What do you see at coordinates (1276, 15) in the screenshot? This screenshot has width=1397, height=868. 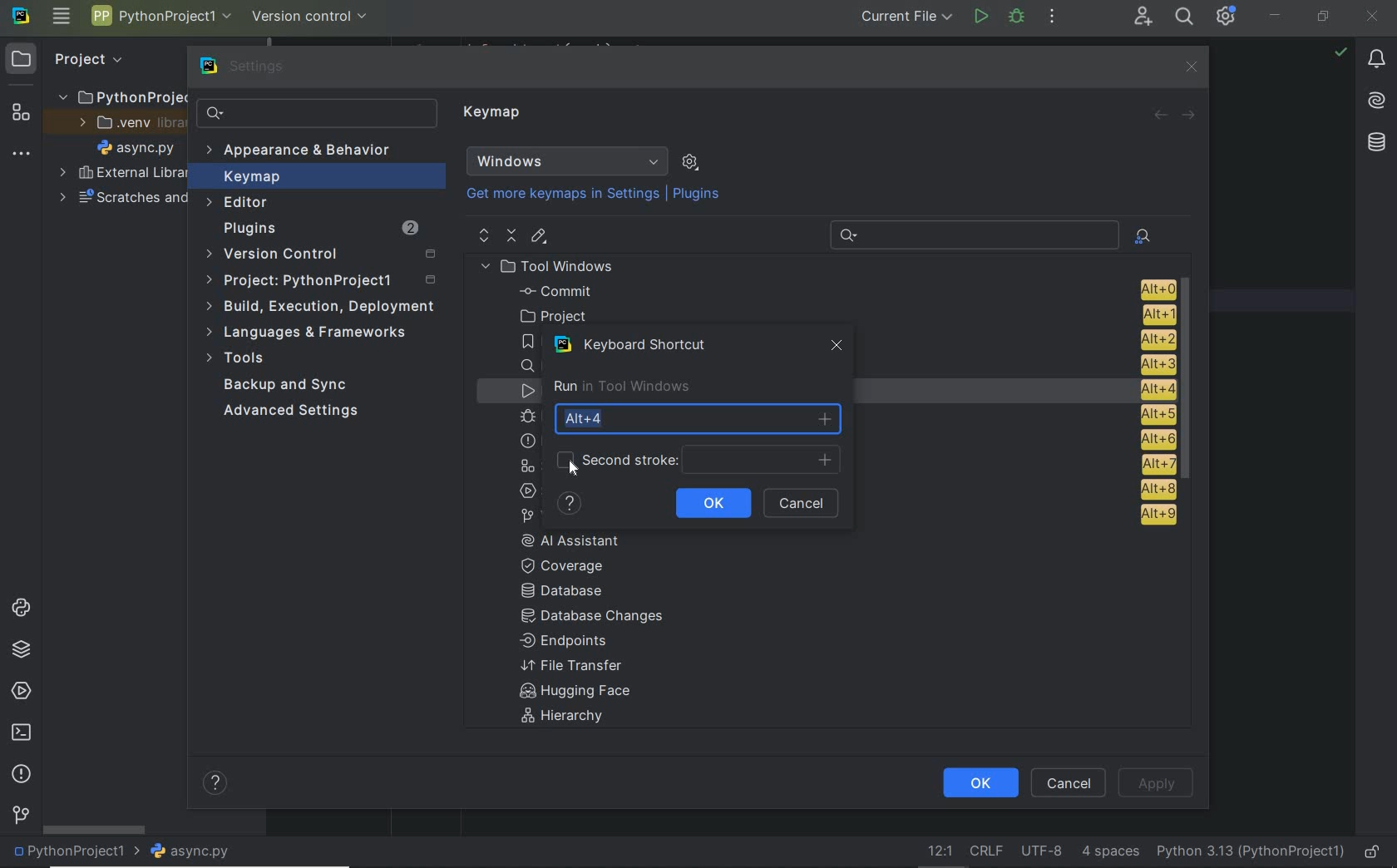 I see `minimize` at bounding box center [1276, 15].